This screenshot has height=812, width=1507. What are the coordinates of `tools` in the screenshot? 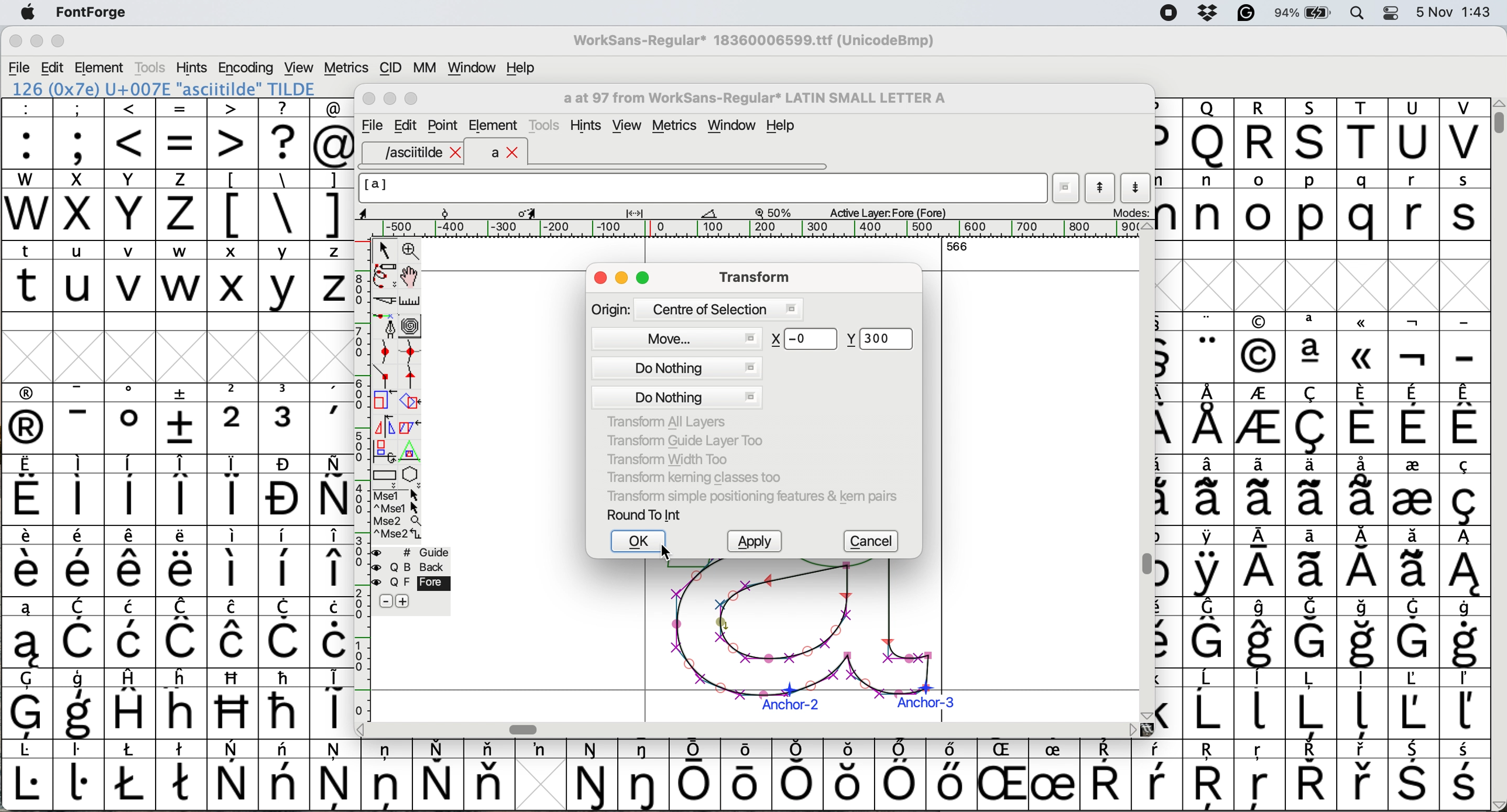 It's located at (546, 123).